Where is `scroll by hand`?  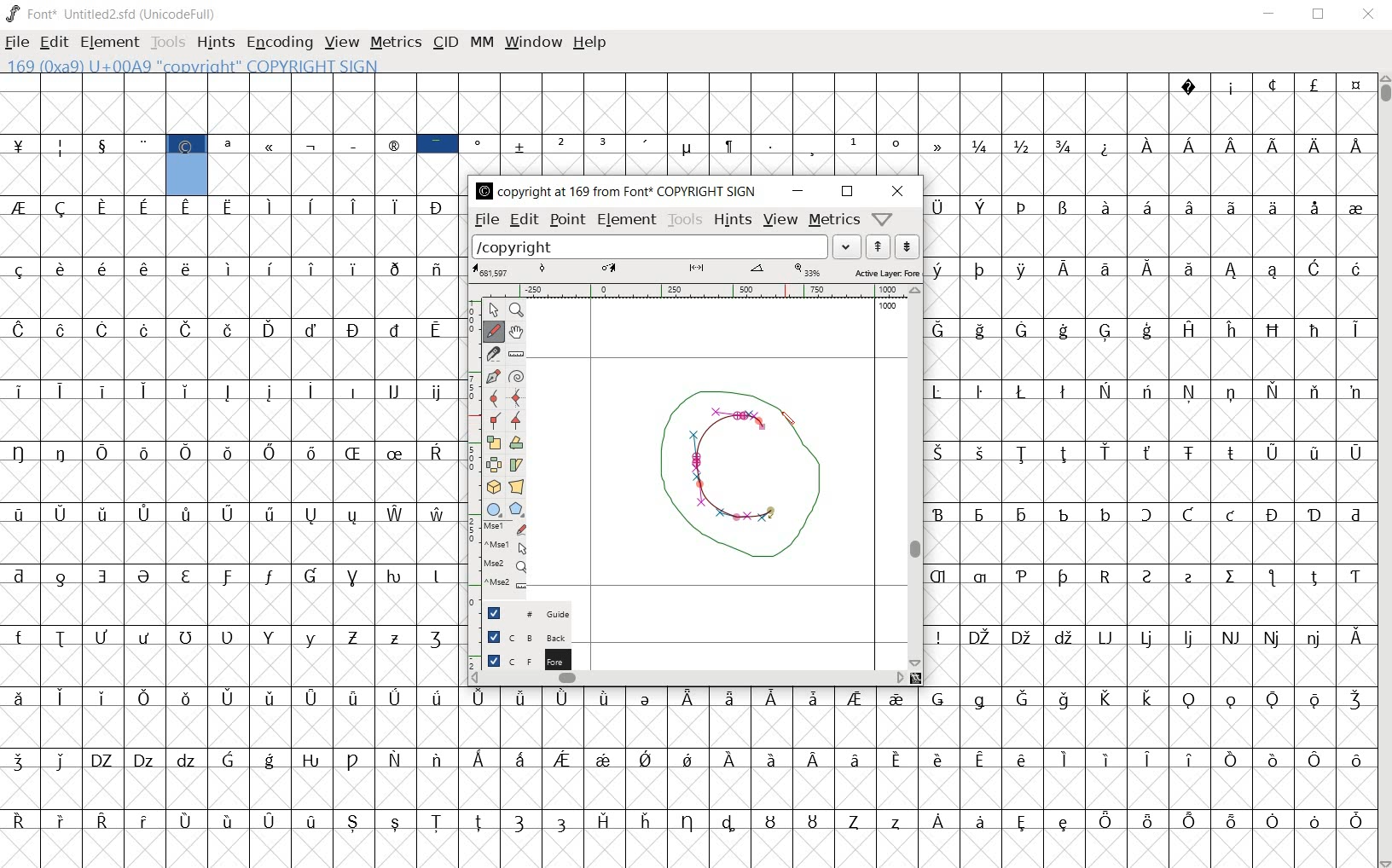
scroll by hand is located at coordinates (515, 333).